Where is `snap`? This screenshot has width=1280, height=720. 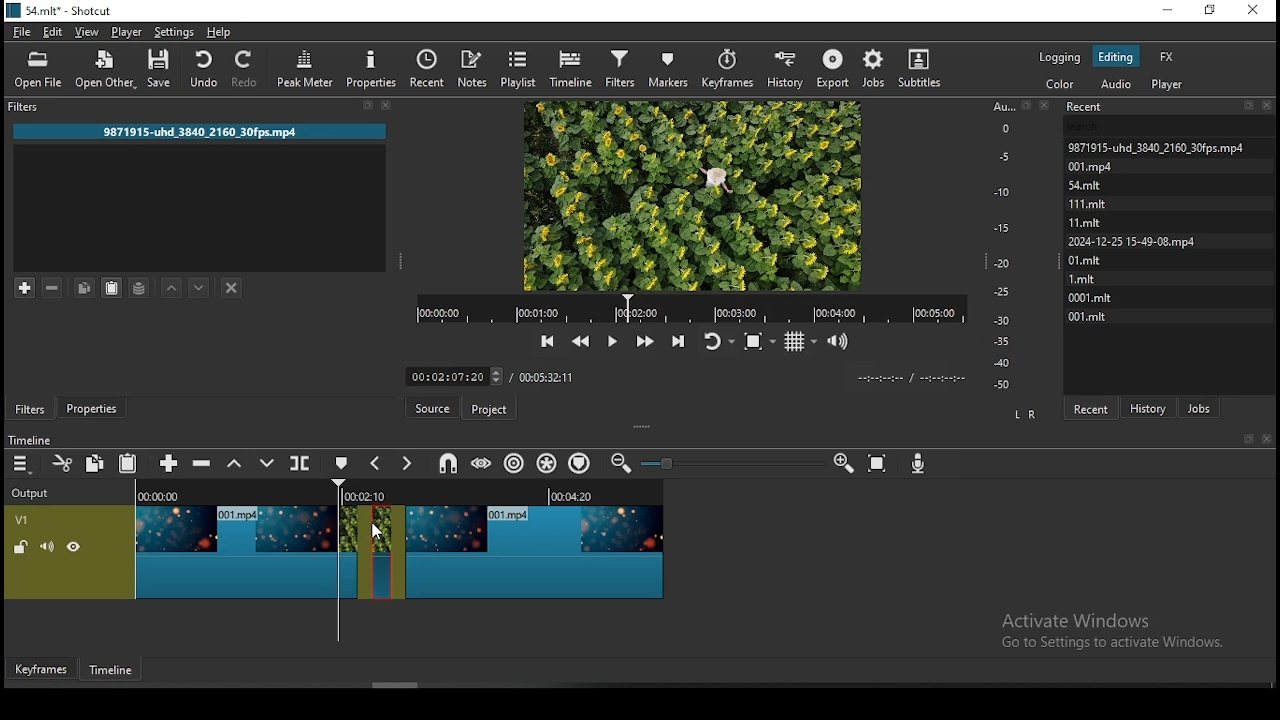
snap is located at coordinates (451, 462).